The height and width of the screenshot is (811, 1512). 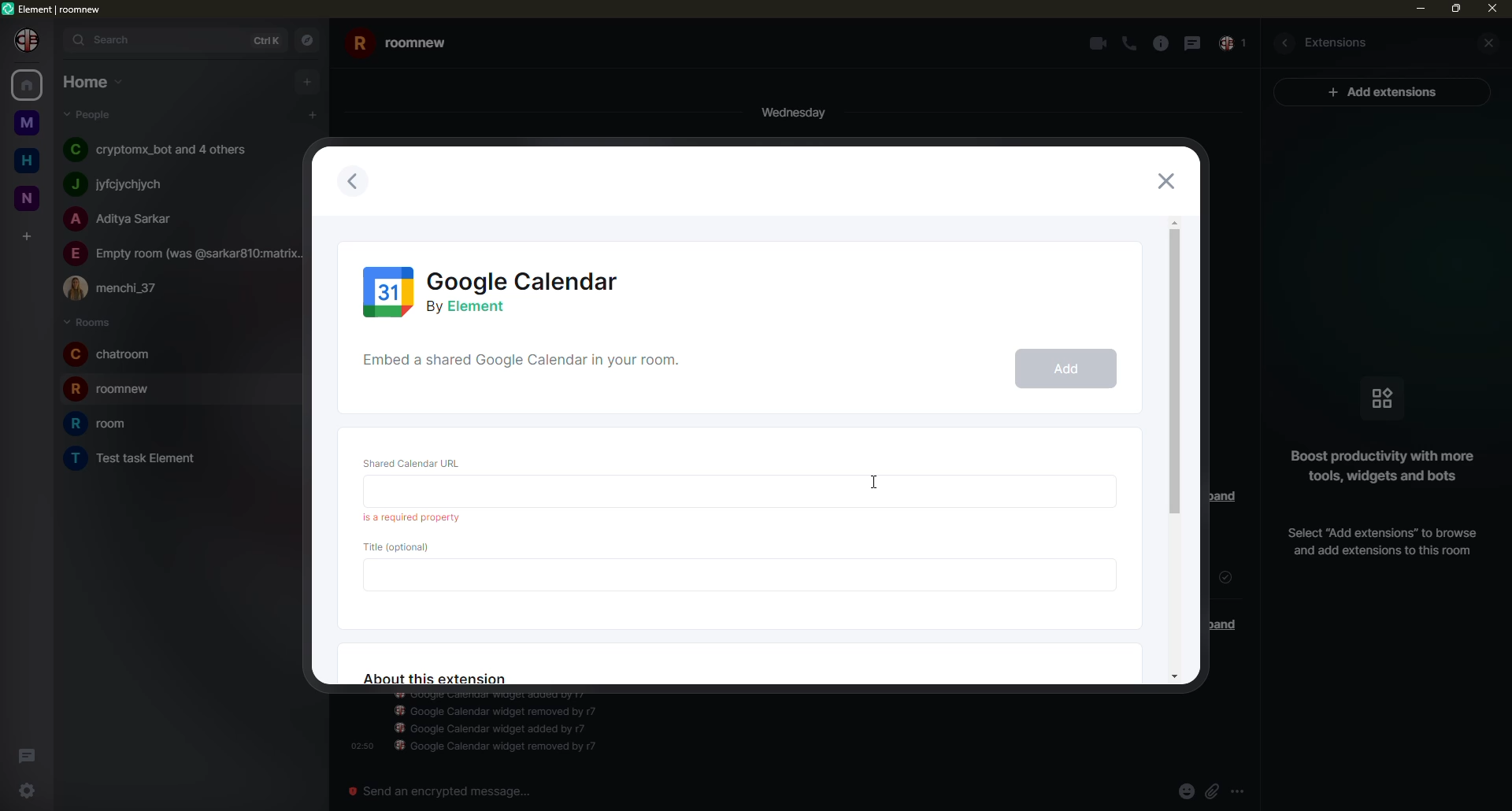 What do you see at coordinates (99, 424) in the screenshot?
I see `room` at bounding box center [99, 424].